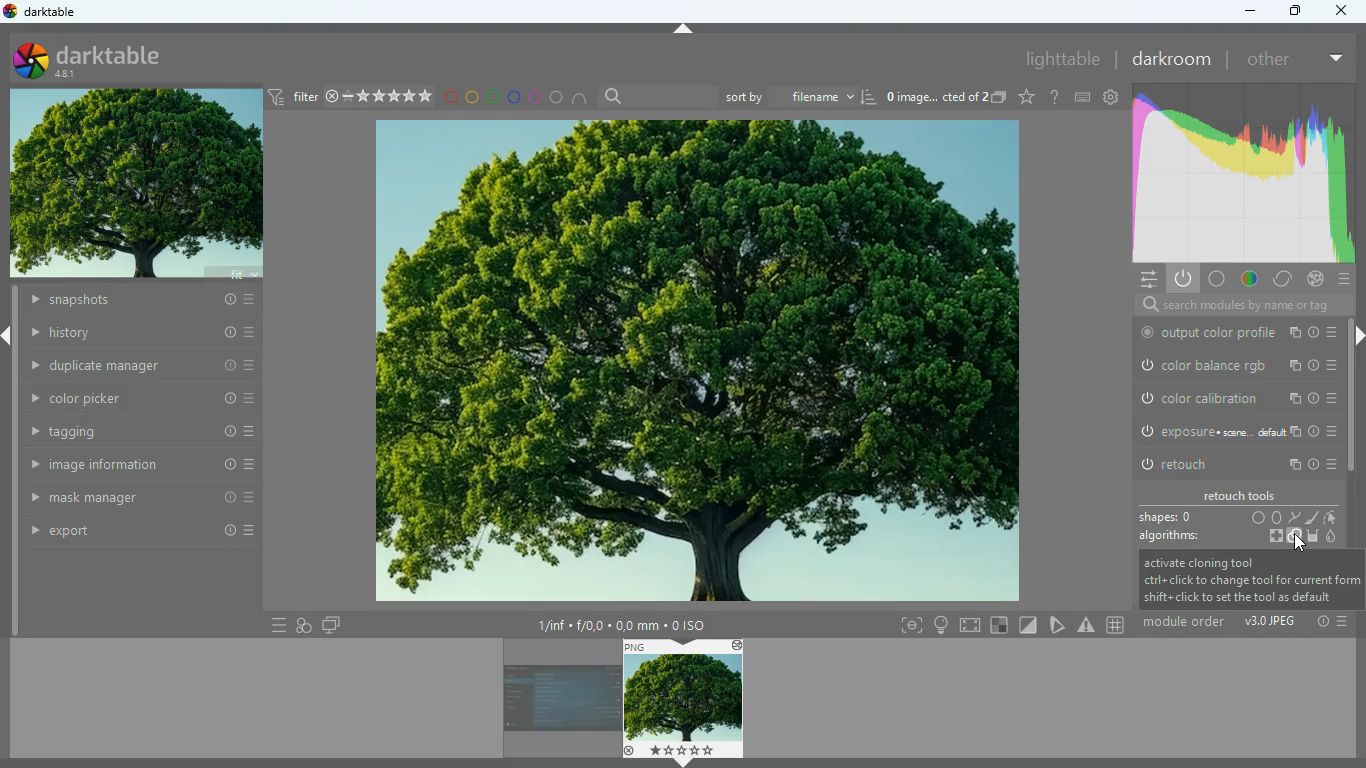 The height and width of the screenshot is (768, 1366). I want to click on image name, so click(931, 97).